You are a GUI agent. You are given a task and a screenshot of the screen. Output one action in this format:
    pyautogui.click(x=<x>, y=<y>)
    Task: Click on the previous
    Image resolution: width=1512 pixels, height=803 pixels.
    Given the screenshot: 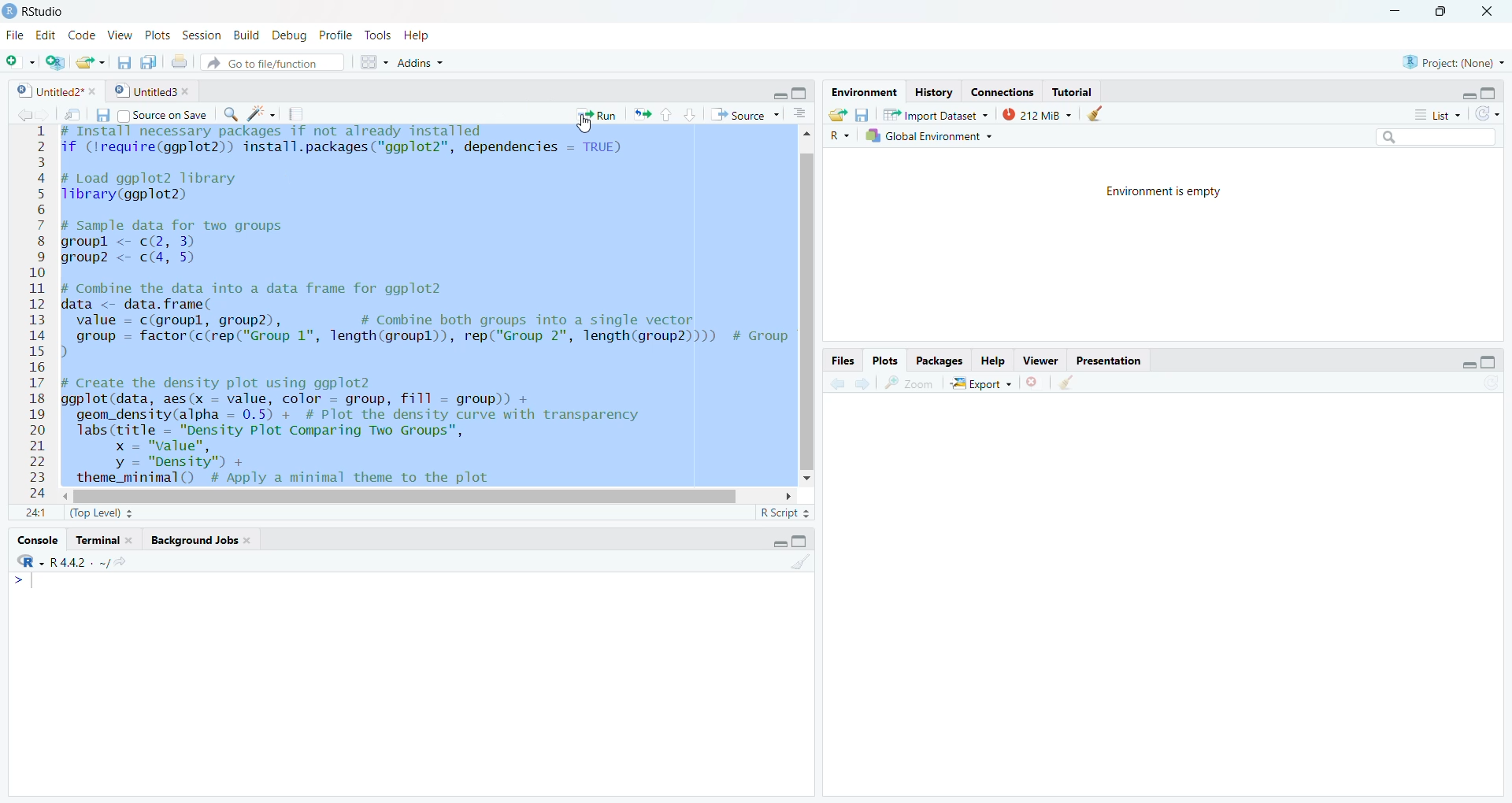 What is the action you would take?
    pyautogui.click(x=20, y=113)
    